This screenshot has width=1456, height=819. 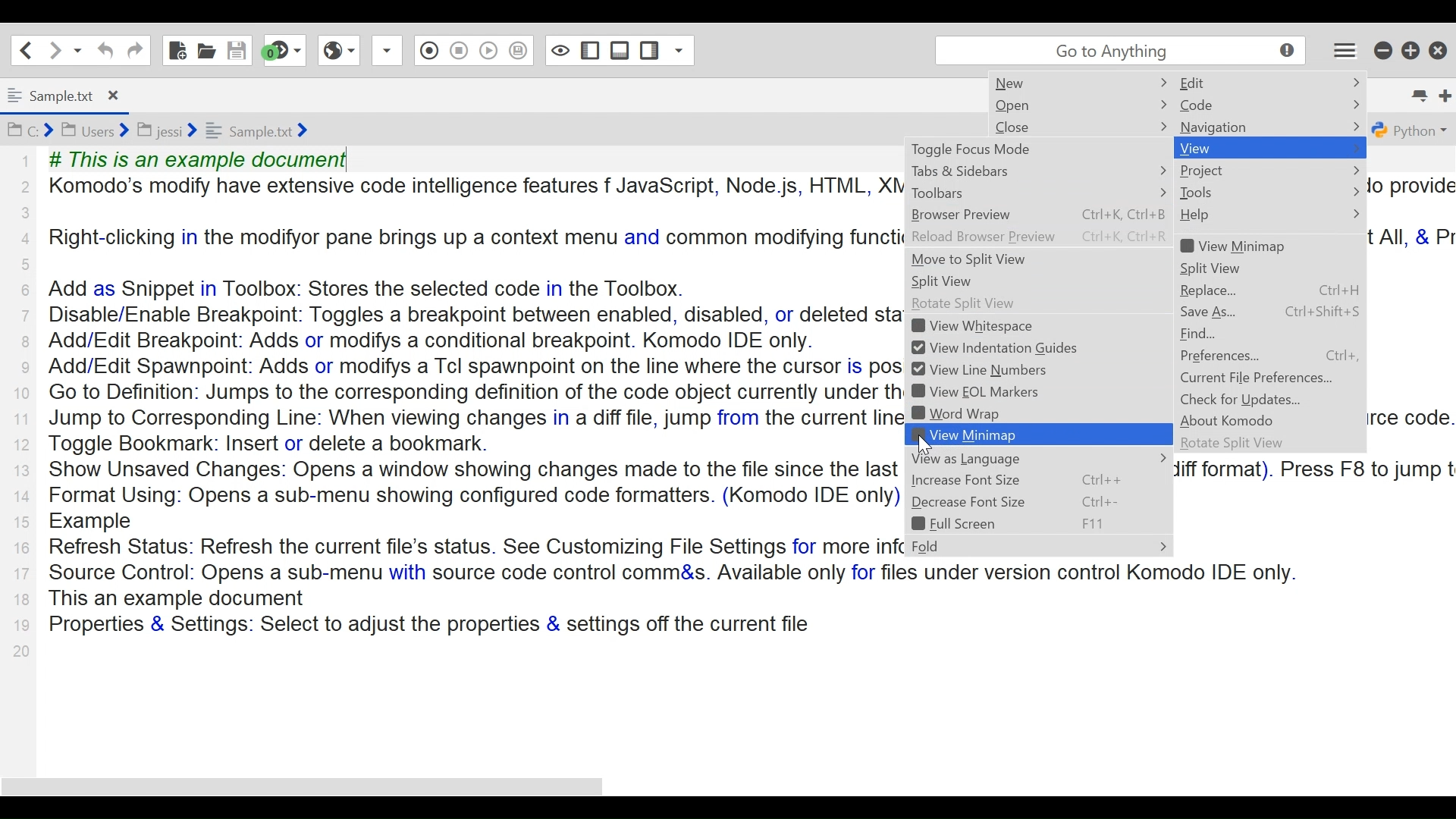 What do you see at coordinates (991, 413) in the screenshot?
I see `Word Wrap` at bounding box center [991, 413].